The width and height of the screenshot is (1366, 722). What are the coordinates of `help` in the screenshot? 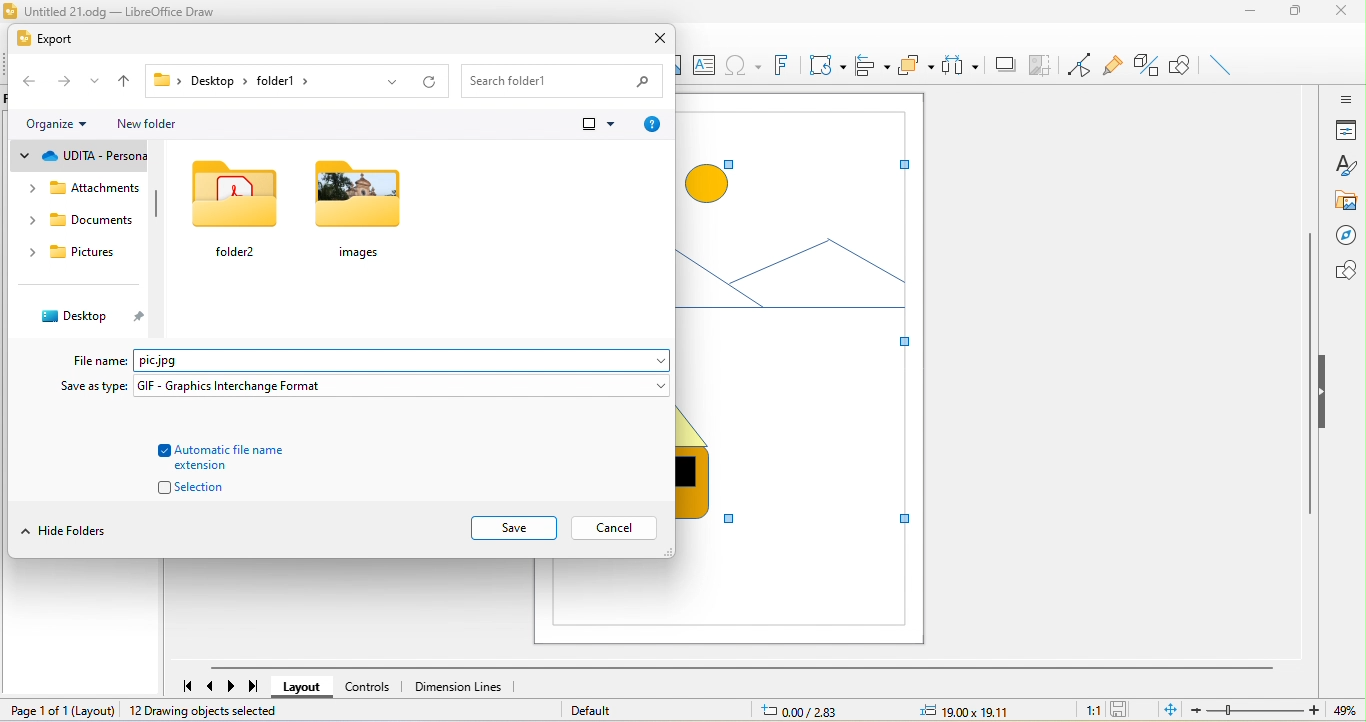 It's located at (651, 124).